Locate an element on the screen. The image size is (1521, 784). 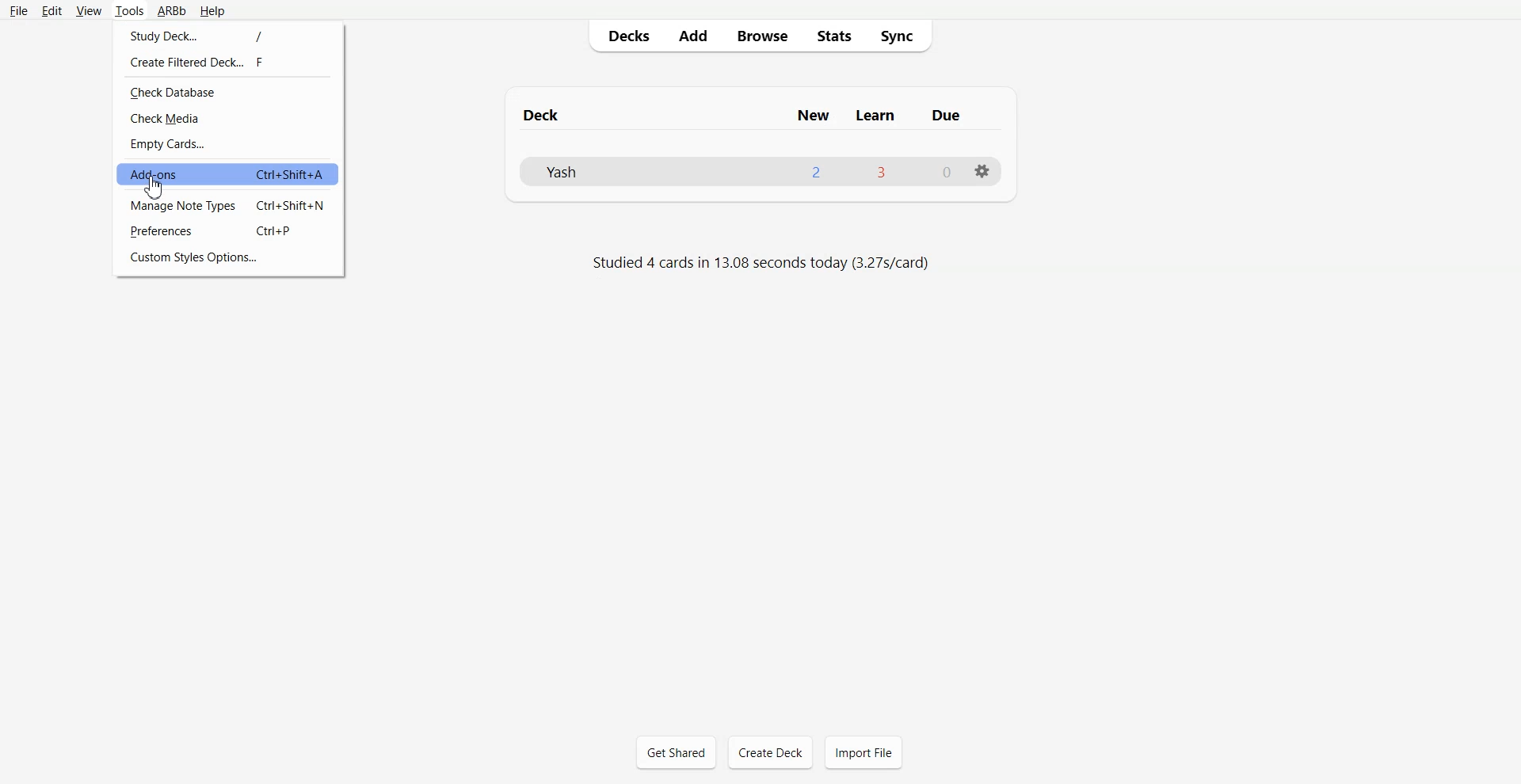
Cursor is located at coordinates (155, 186).